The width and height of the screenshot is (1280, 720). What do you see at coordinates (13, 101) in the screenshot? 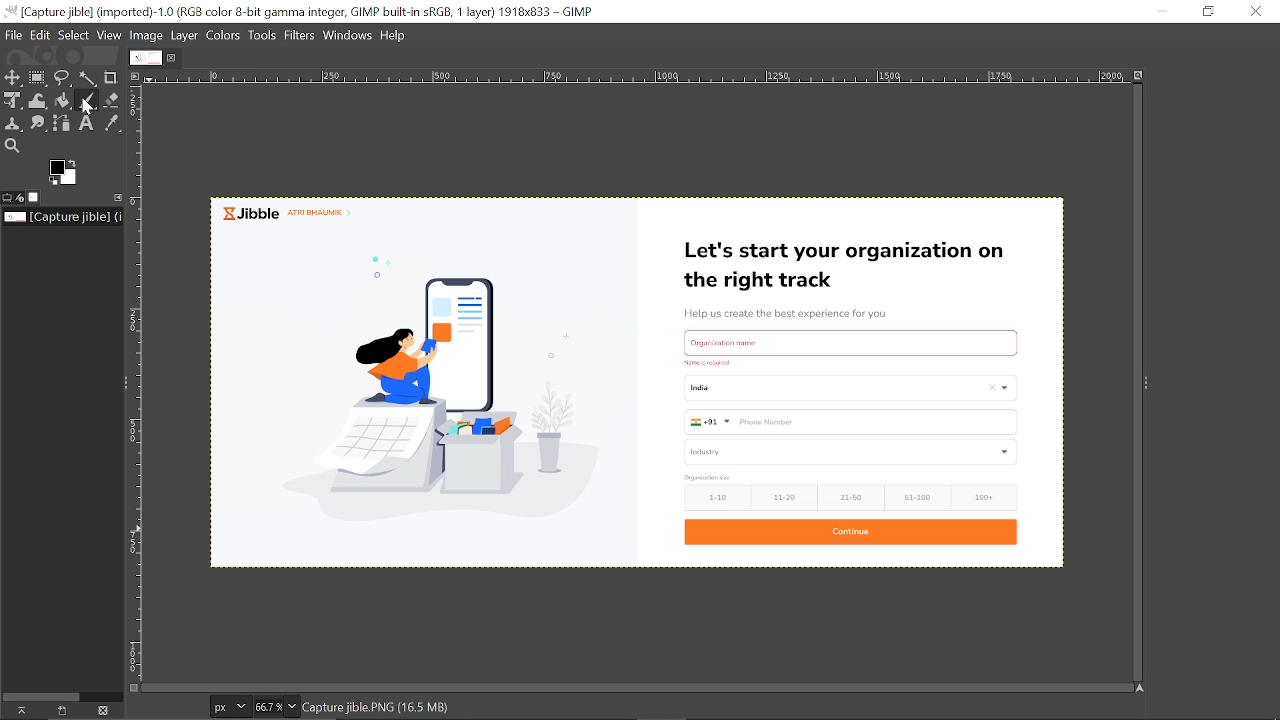
I see `Unified select tool` at bounding box center [13, 101].